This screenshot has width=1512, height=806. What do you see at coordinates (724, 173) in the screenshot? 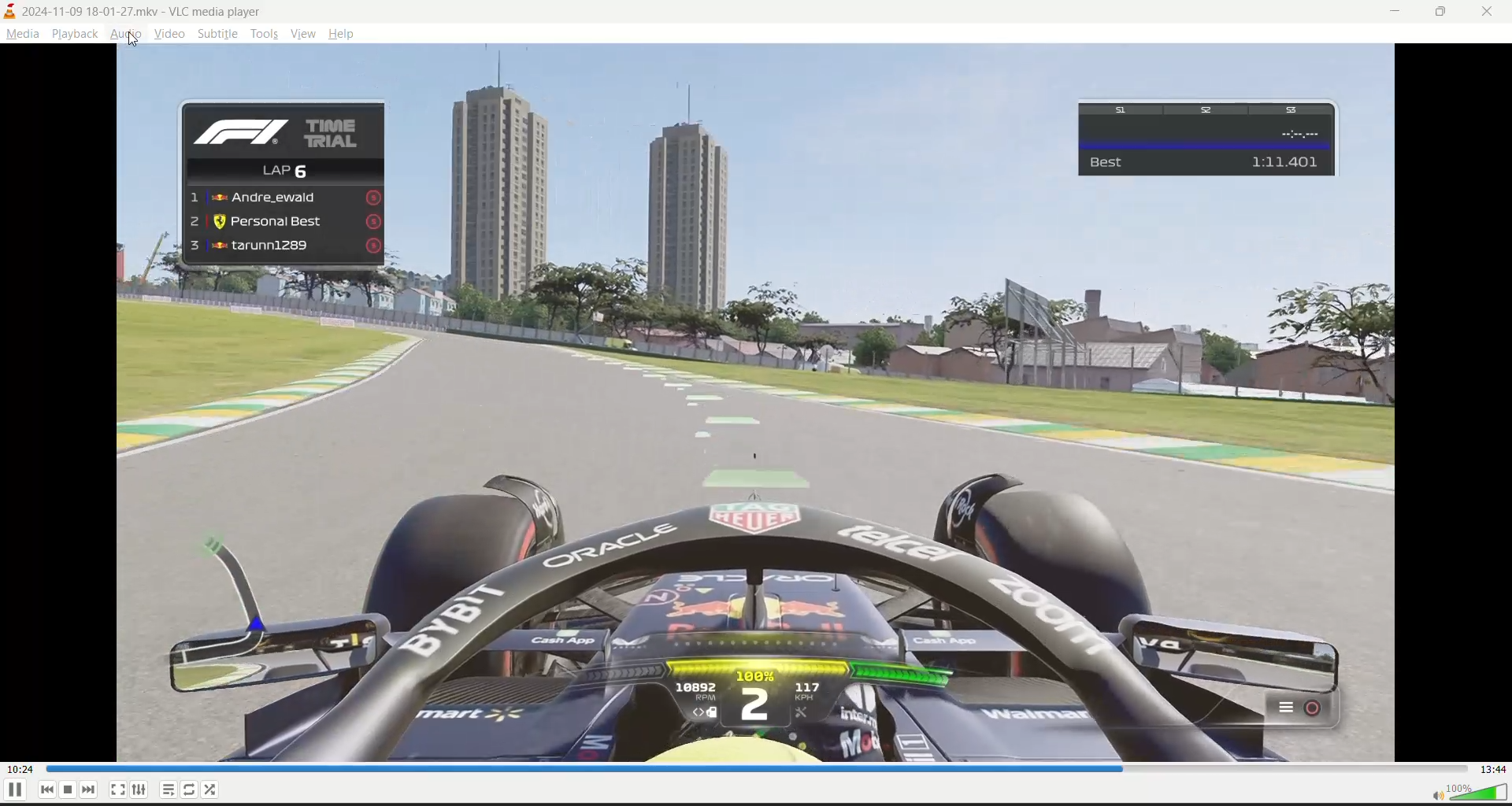
I see `preview` at bounding box center [724, 173].